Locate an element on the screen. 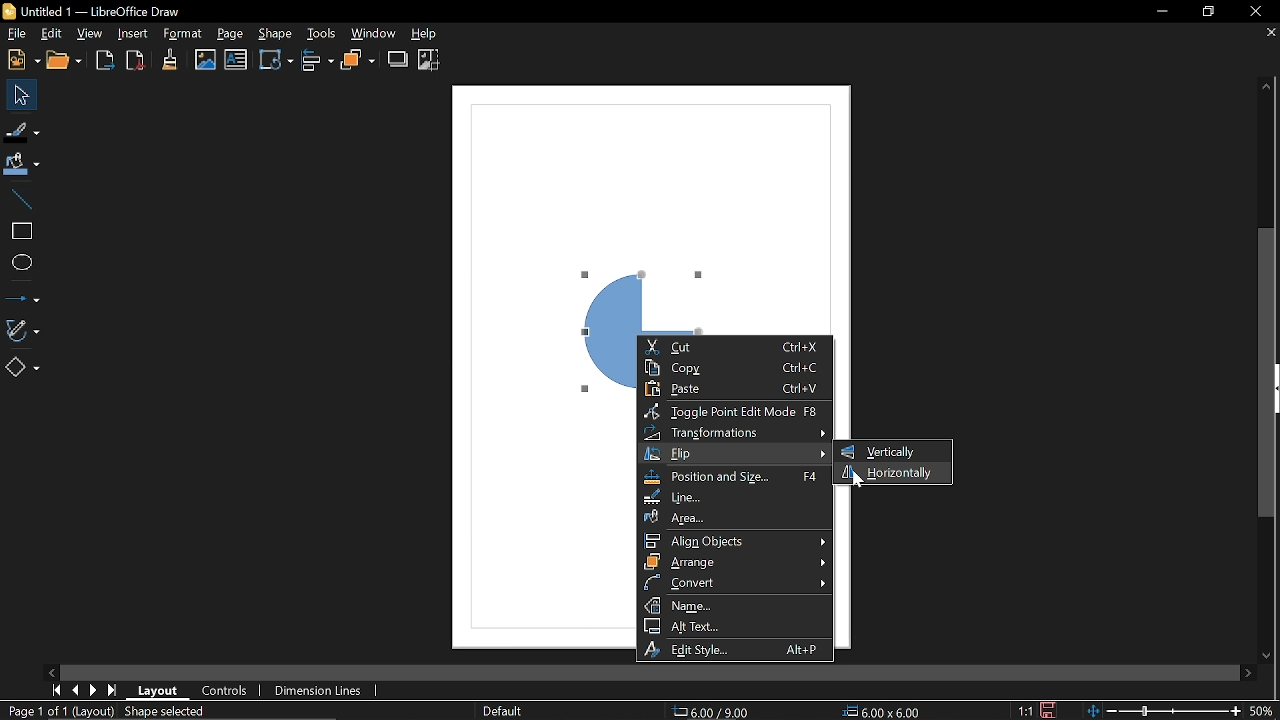 Image resolution: width=1280 pixels, height=720 pixels. Open is located at coordinates (66, 61).